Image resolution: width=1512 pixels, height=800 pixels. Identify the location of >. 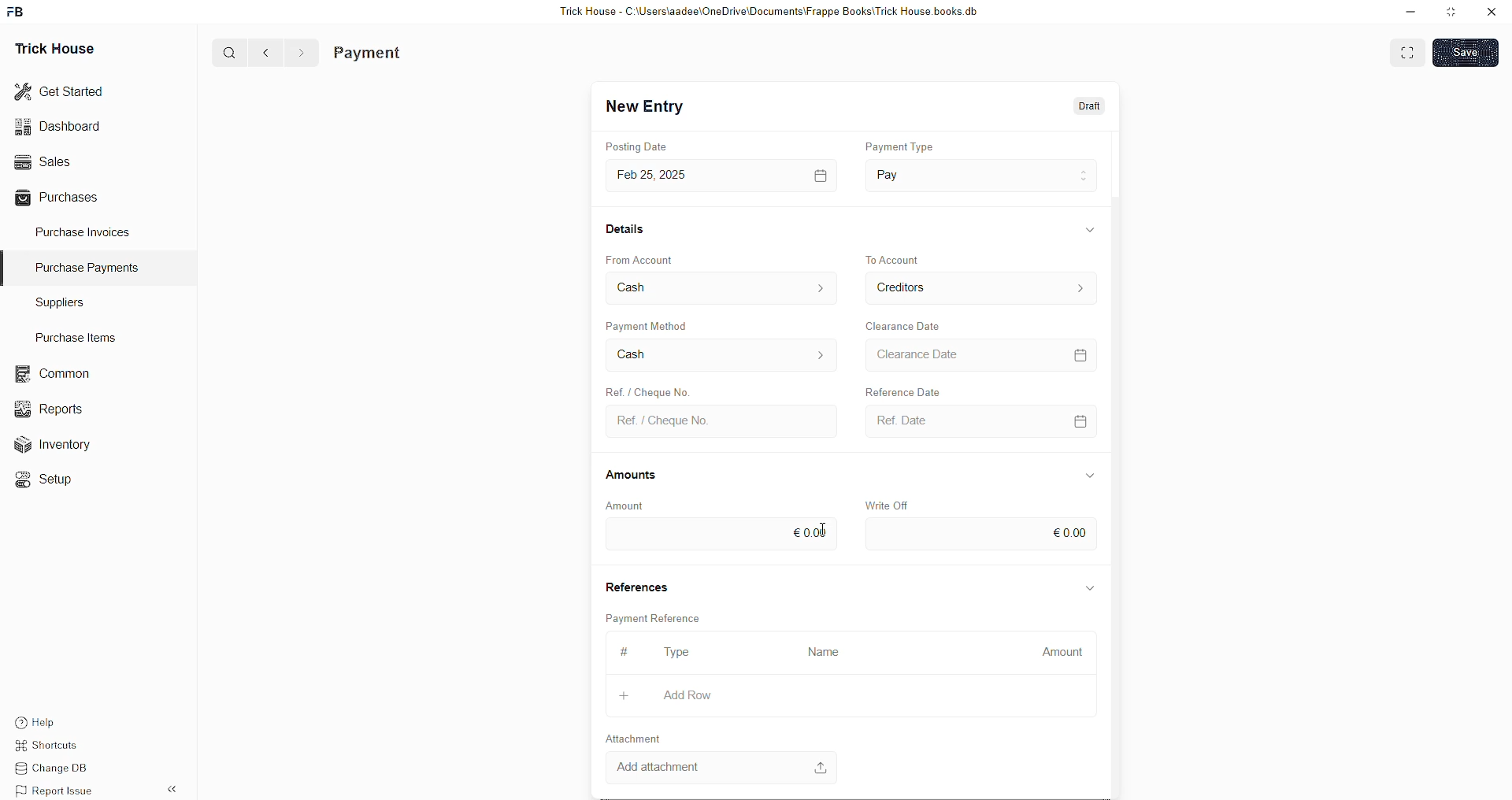
(301, 53).